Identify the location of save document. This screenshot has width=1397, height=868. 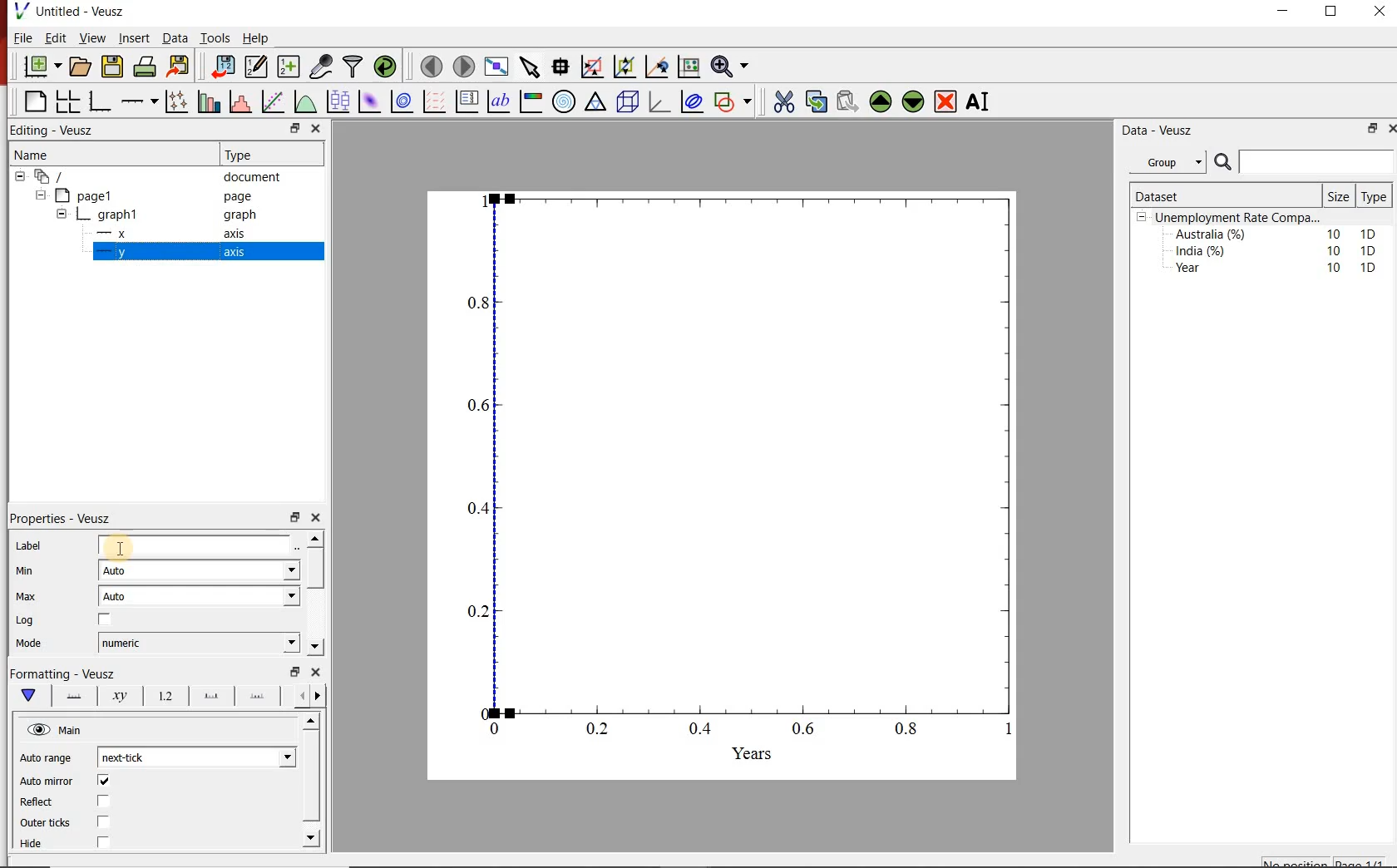
(112, 66).